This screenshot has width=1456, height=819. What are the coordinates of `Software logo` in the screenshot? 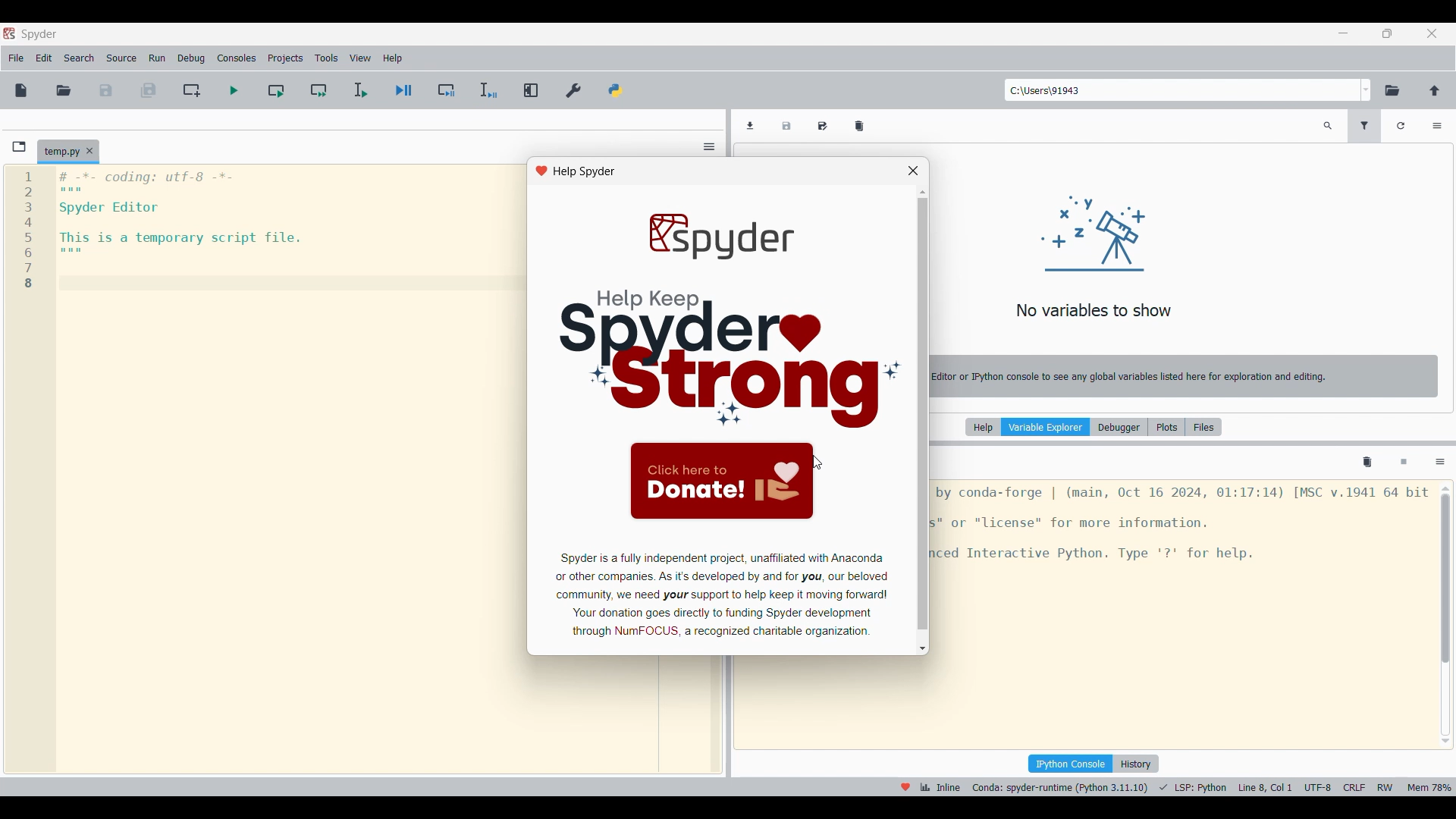 It's located at (39, 34).